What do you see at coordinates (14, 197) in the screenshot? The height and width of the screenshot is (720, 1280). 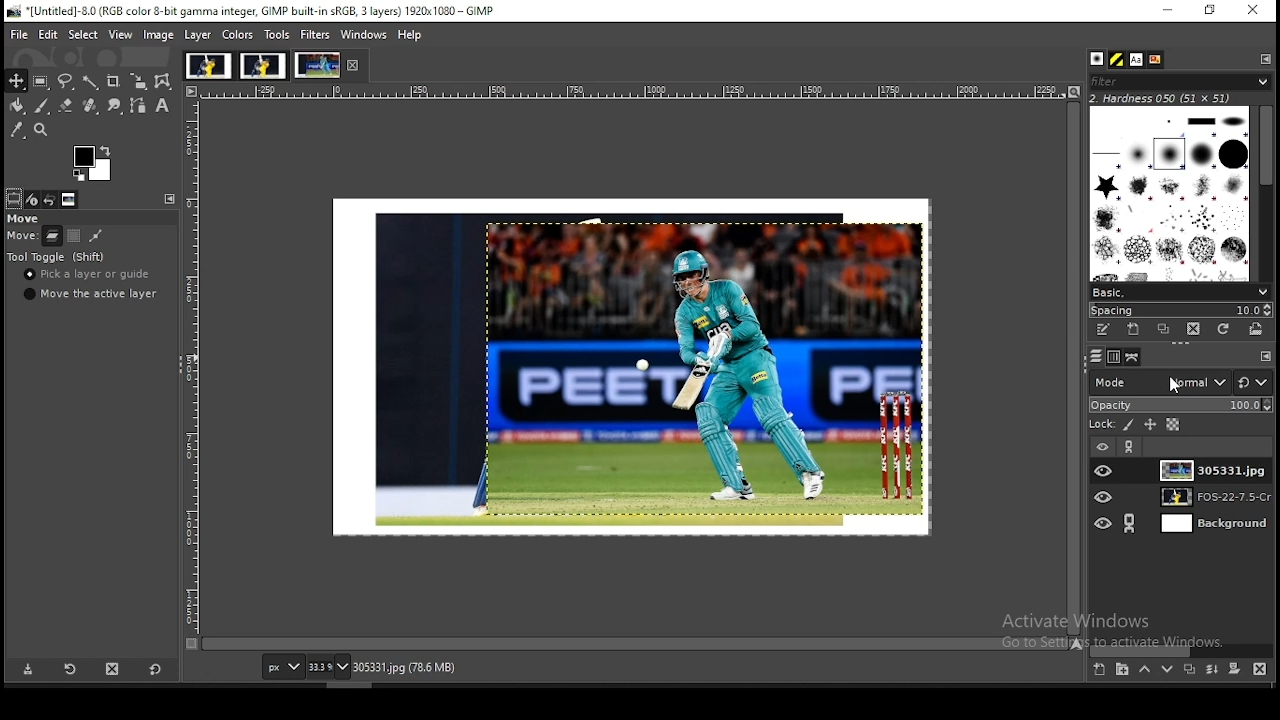 I see `tool options` at bounding box center [14, 197].